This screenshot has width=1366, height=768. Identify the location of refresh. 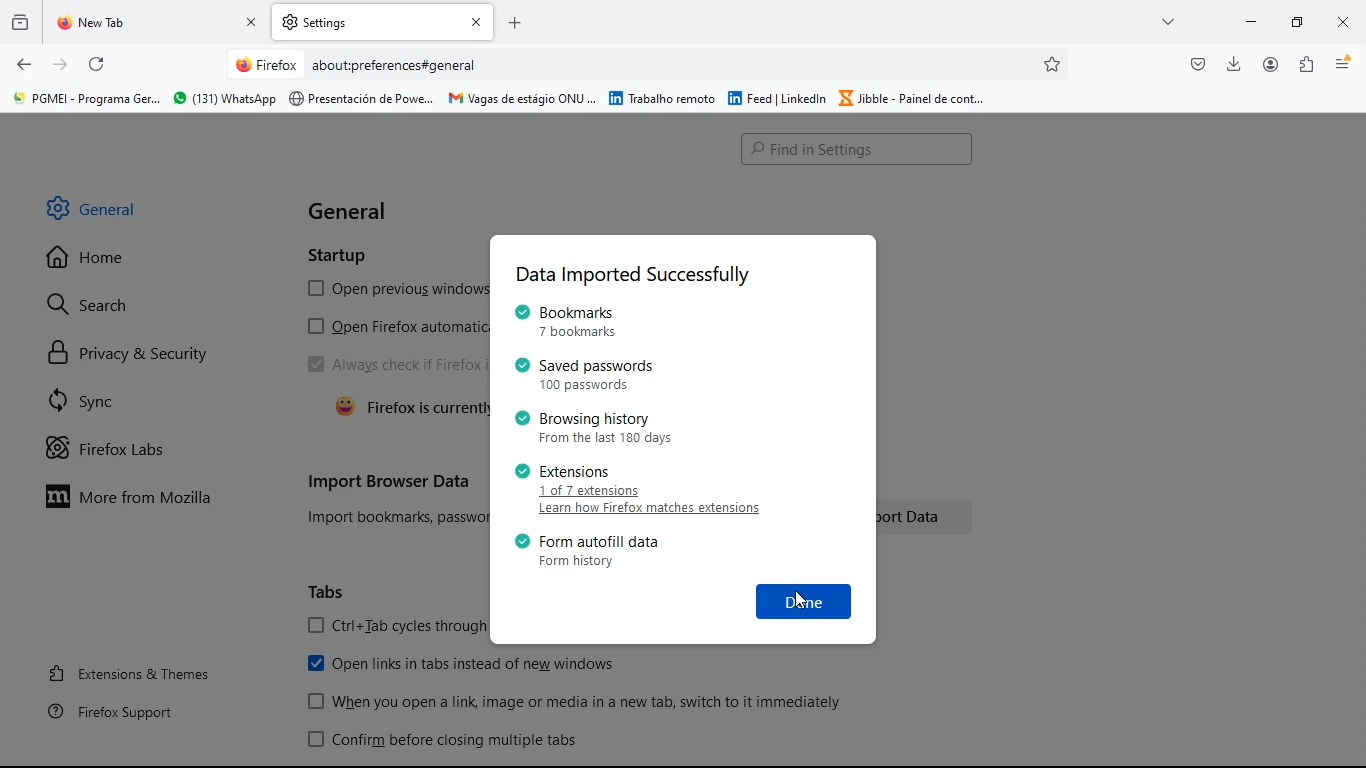
(99, 66).